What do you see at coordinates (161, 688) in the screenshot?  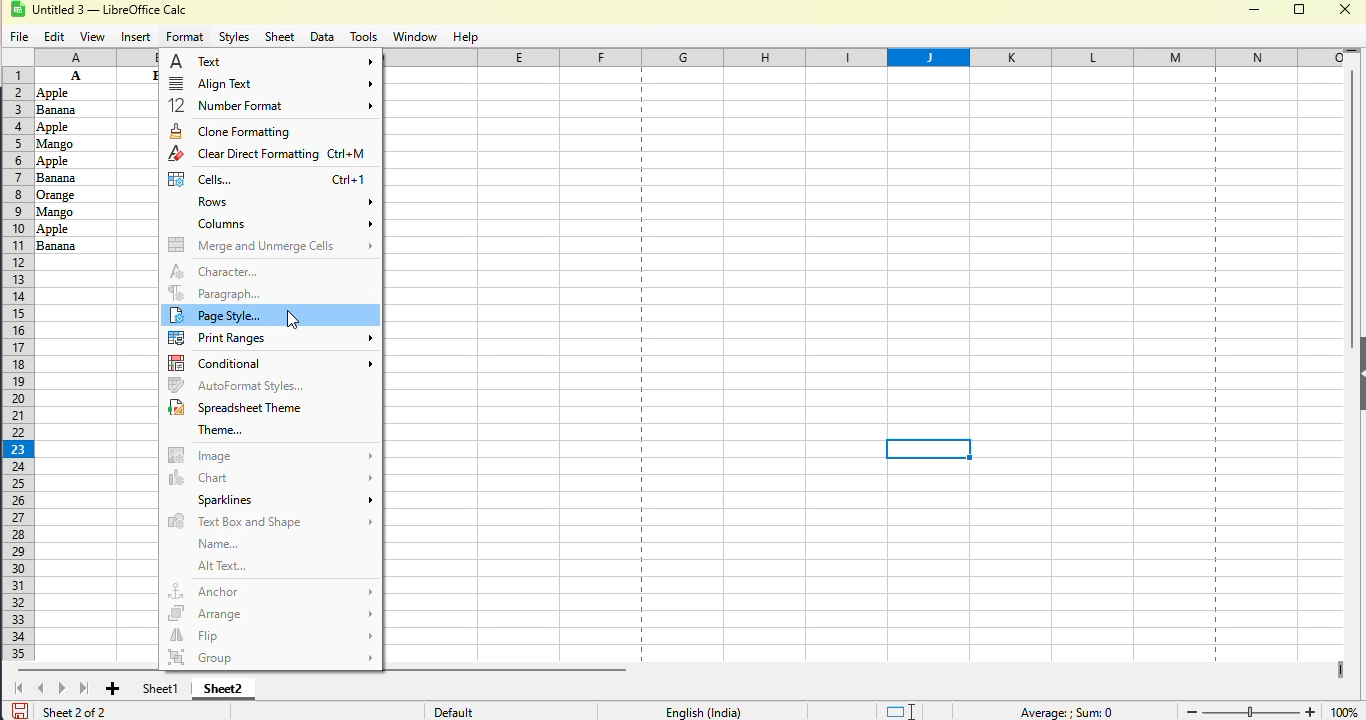 I see `sheet1` at bounding box center [161, 688].